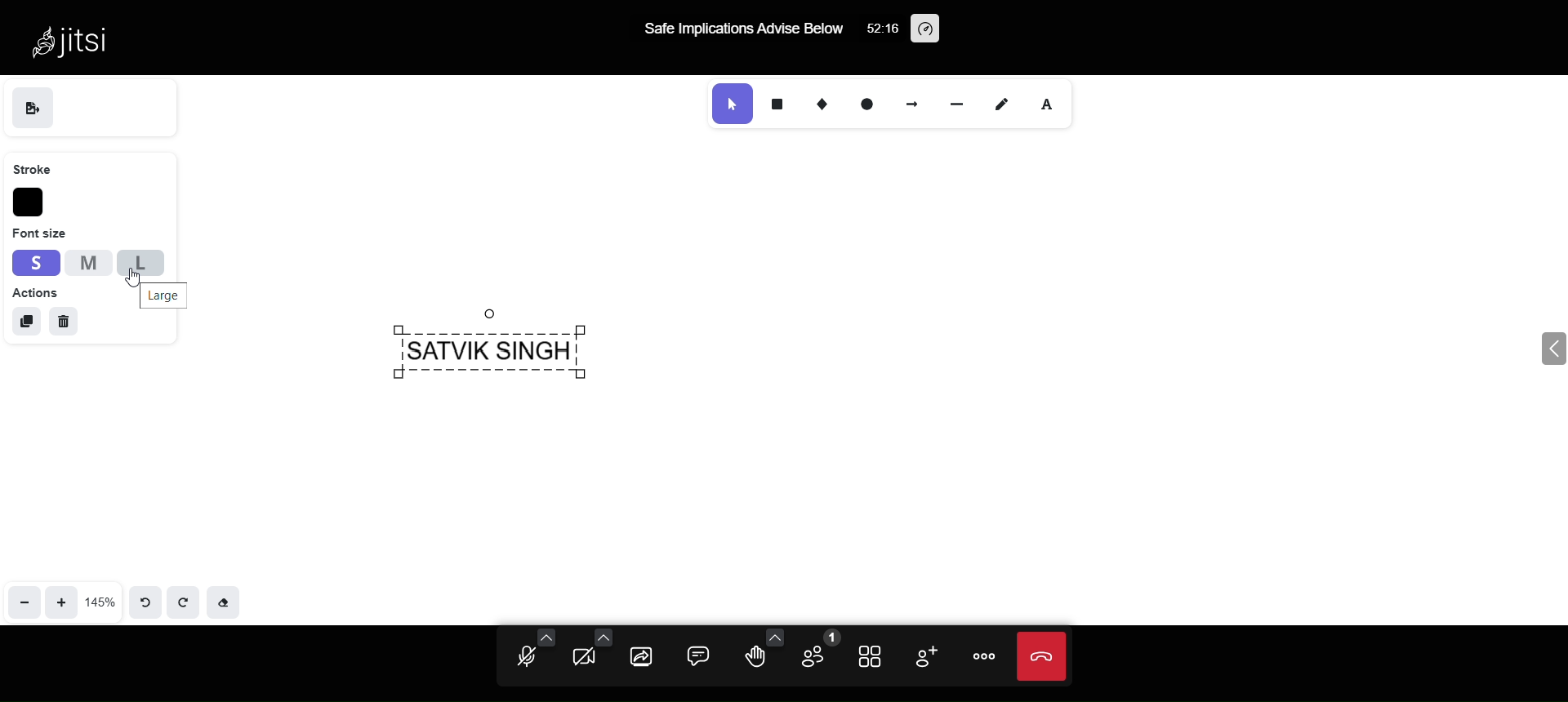  What do you see at coordinates (518, 660) in the screenshot?
I see `unmute mic` at bounding box center [518, 660].